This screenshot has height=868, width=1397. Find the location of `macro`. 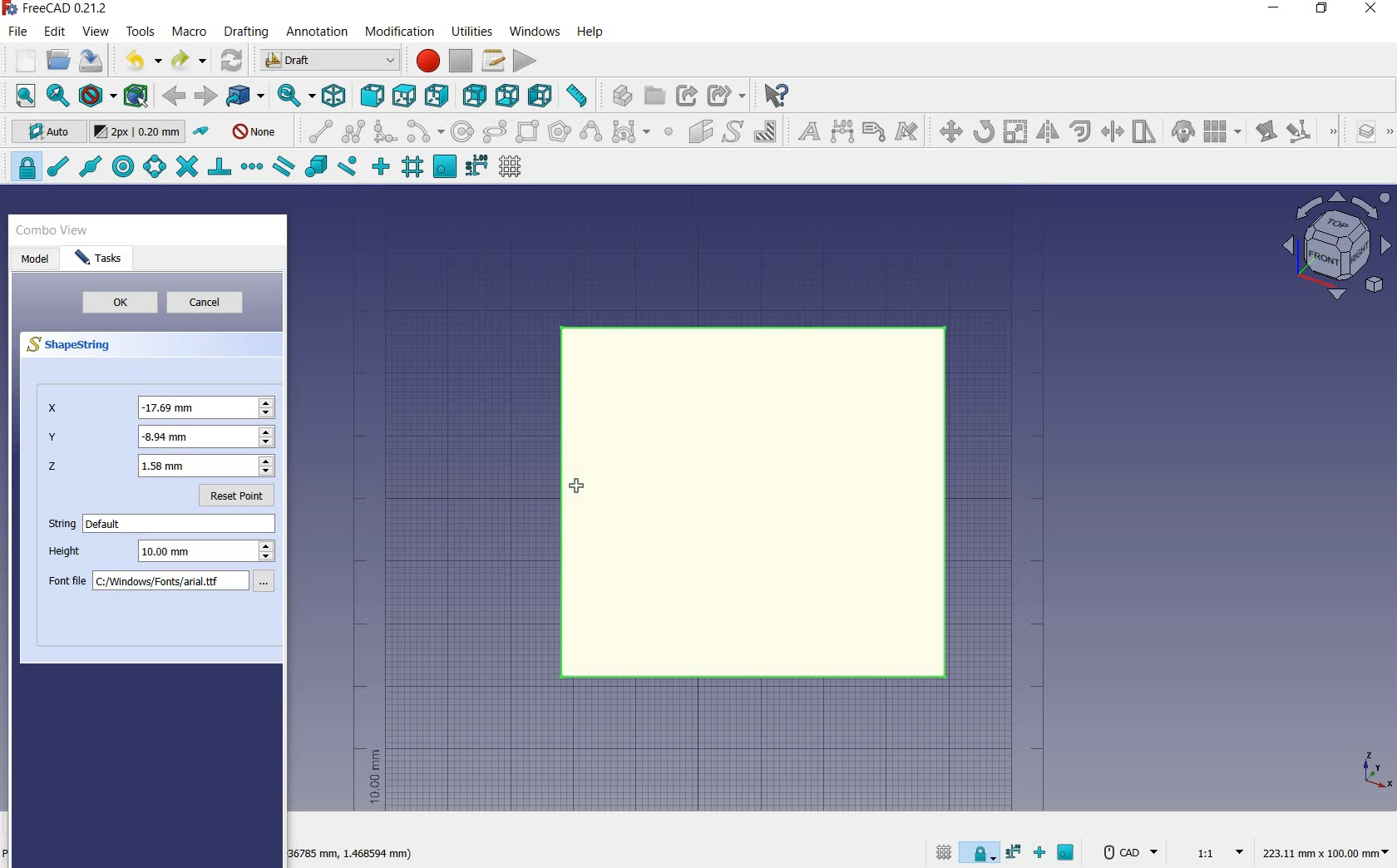

macro is located at coordinates (190, 33).